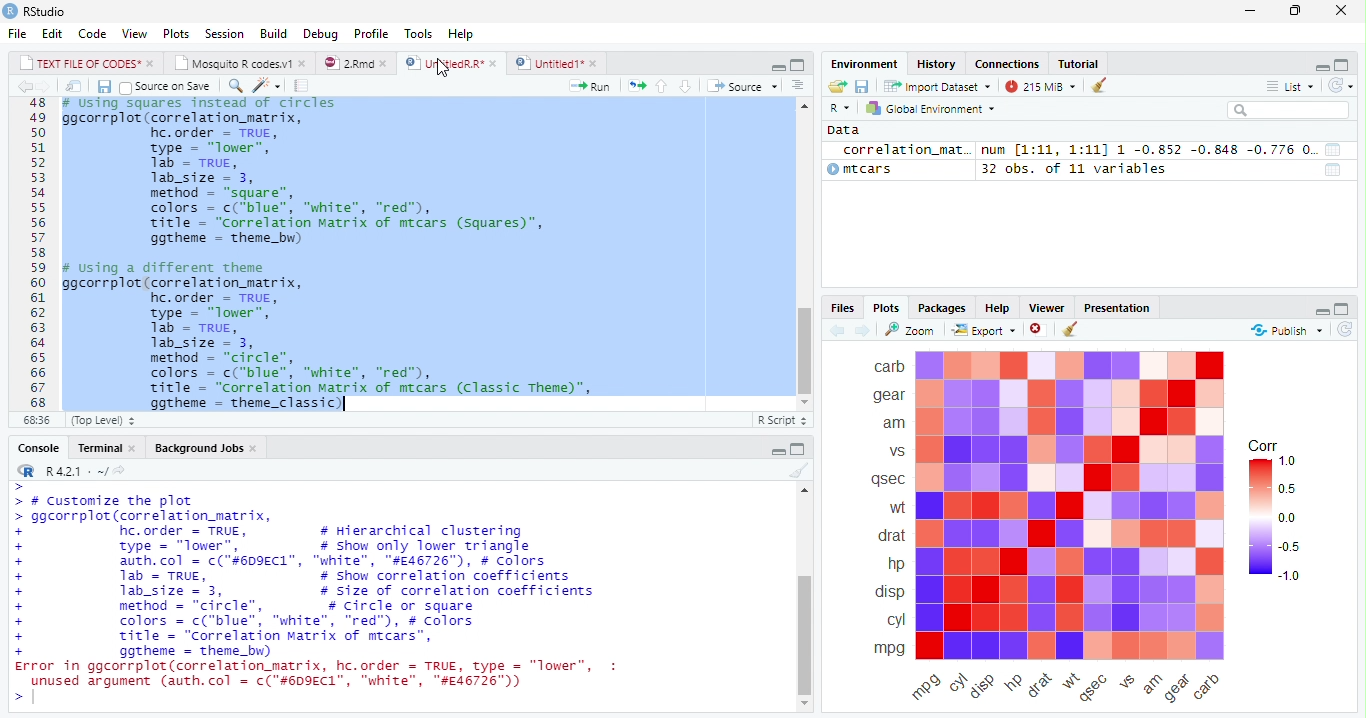 This screenshot has height=718, width=1366. Describe the element at coordinates (1276, 522) in the screenshot. I see `1.0 0.5 0.0 -0.5 -1.0` at that location.